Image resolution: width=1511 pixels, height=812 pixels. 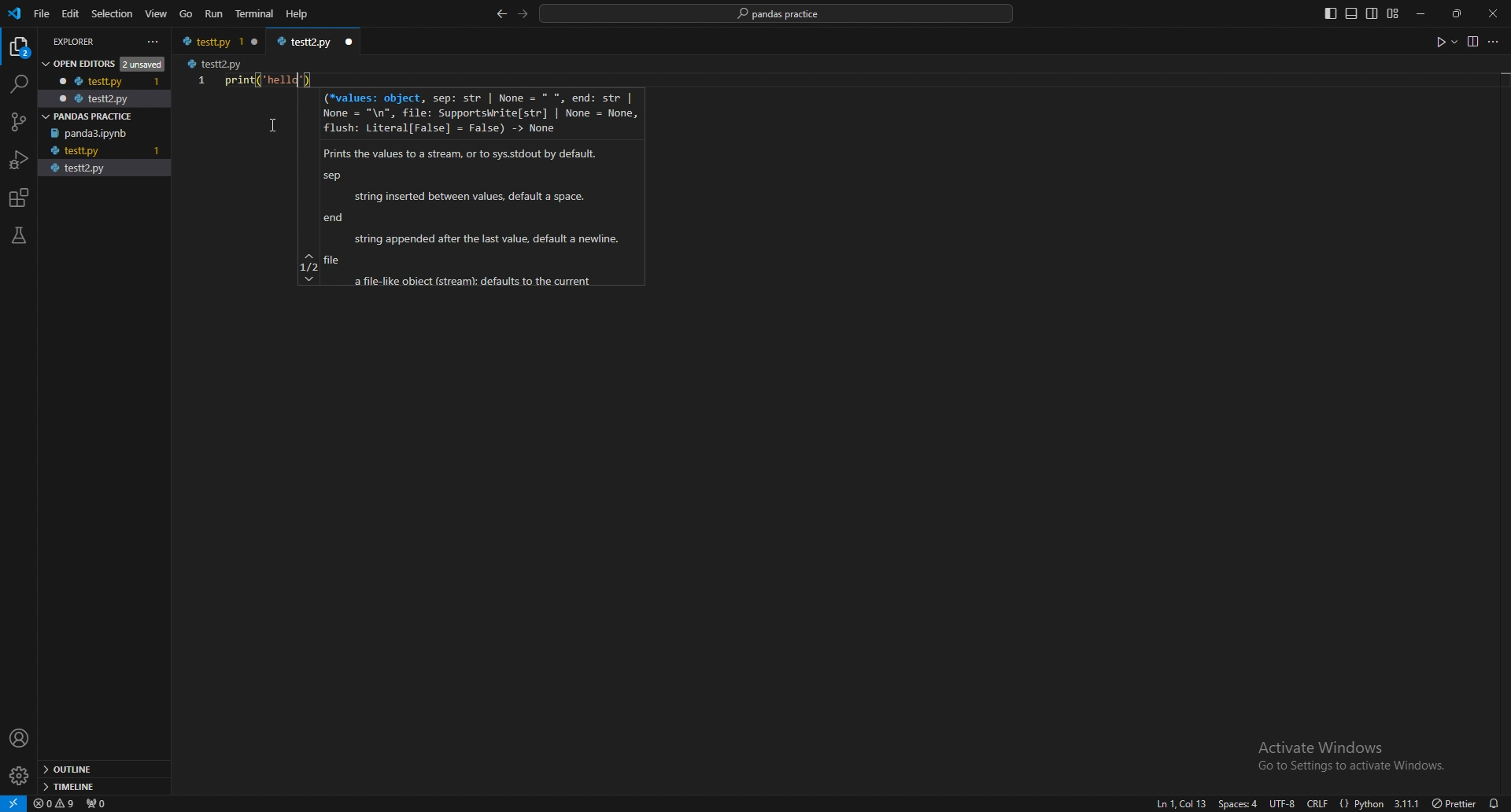 What do you see at coordinates (256, 13) in the screenshot?
I see `terminal` at bounding box center [256, 13].